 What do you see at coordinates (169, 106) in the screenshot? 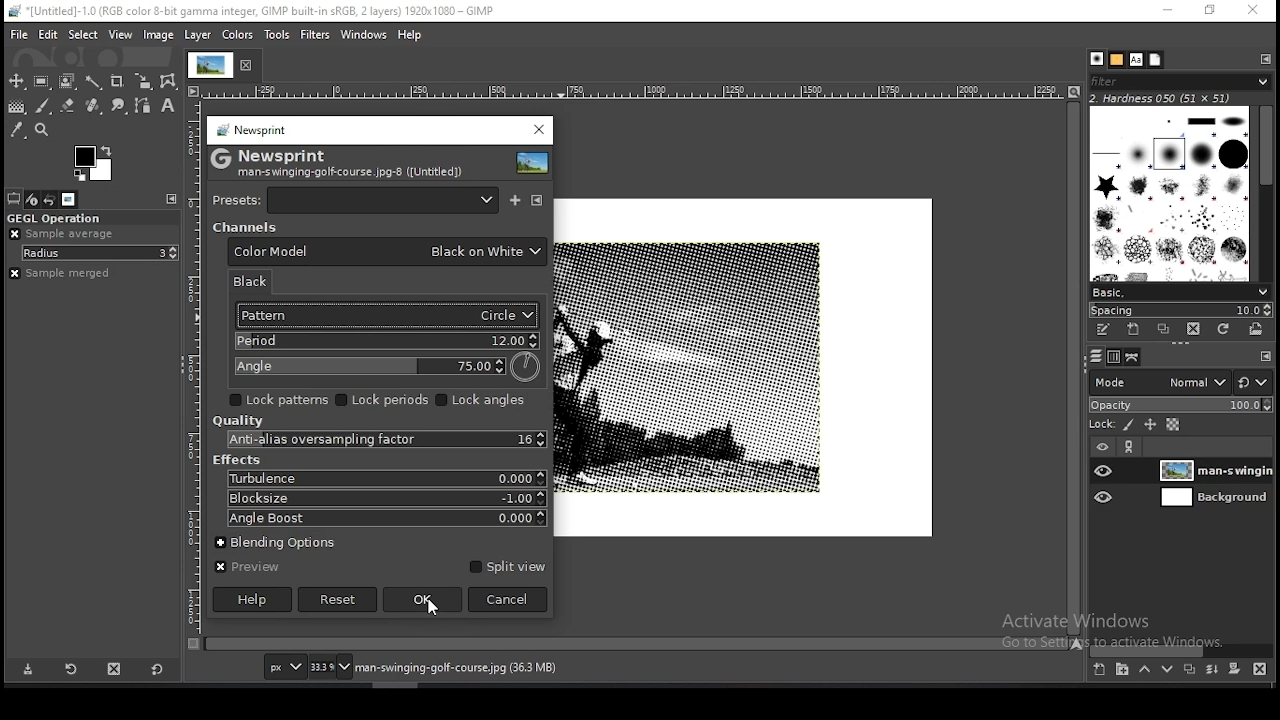
I see `text tool` at bounding box center [169, 106].